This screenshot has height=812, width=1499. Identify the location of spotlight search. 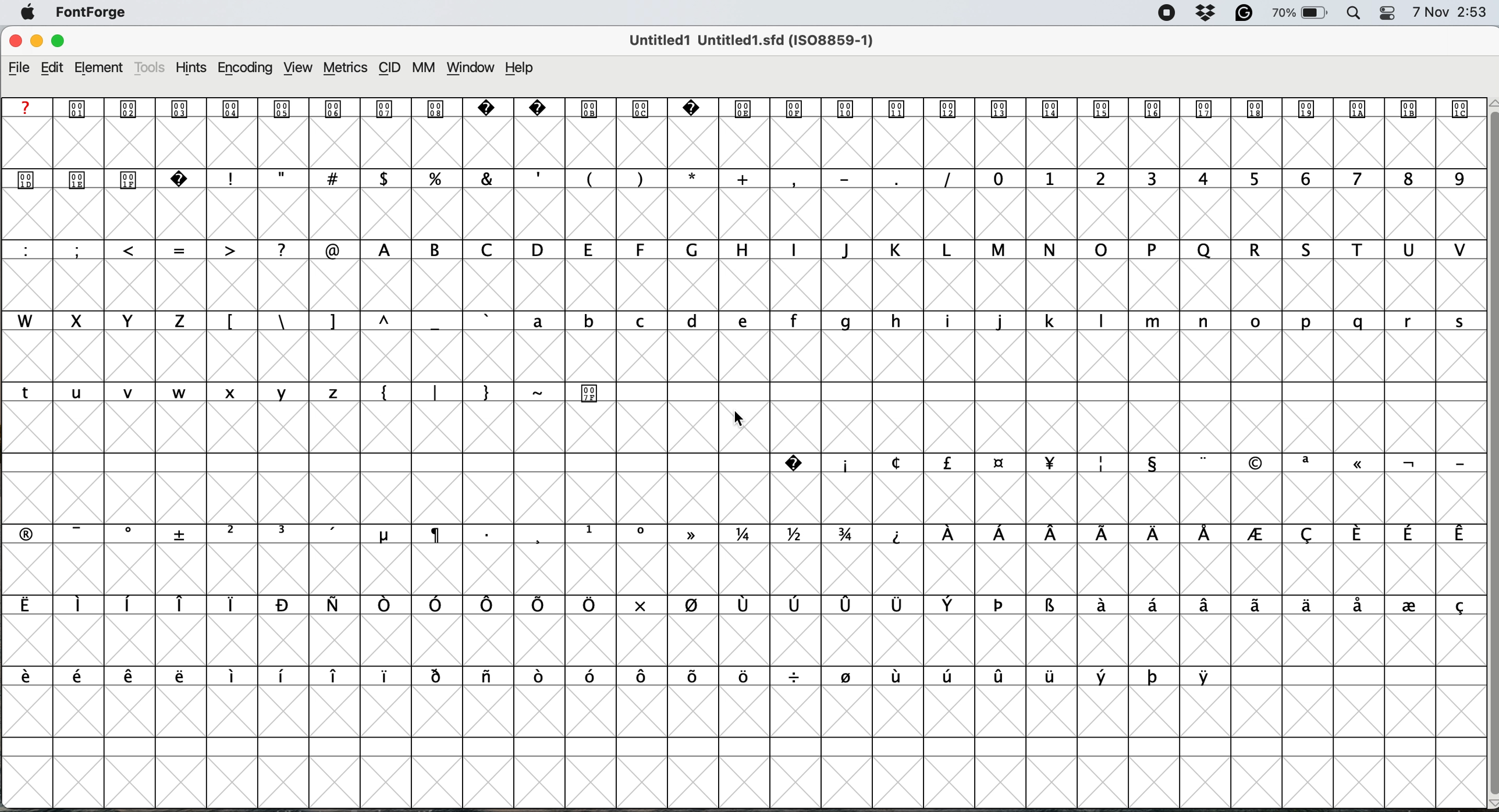
(1355, 13).